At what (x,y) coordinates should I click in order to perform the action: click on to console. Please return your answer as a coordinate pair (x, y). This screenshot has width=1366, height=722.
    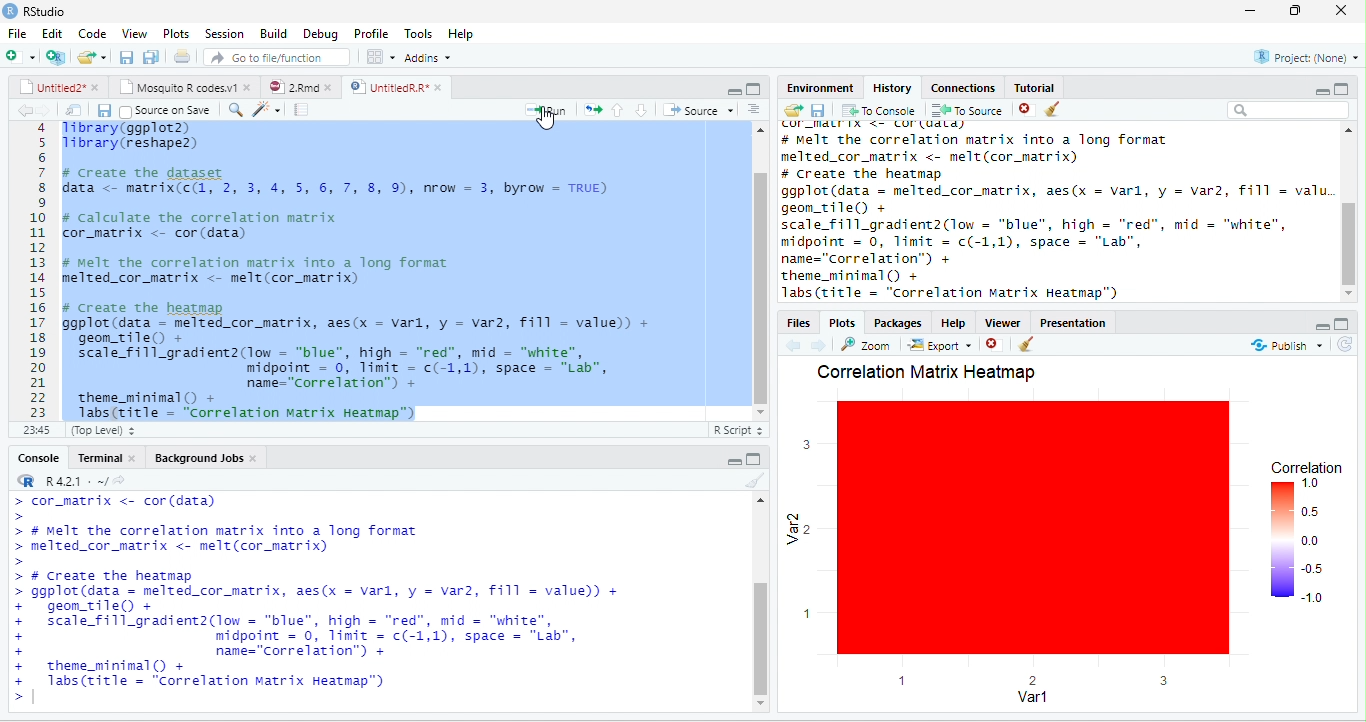
    Looking at the image, I should click on (880, 112).